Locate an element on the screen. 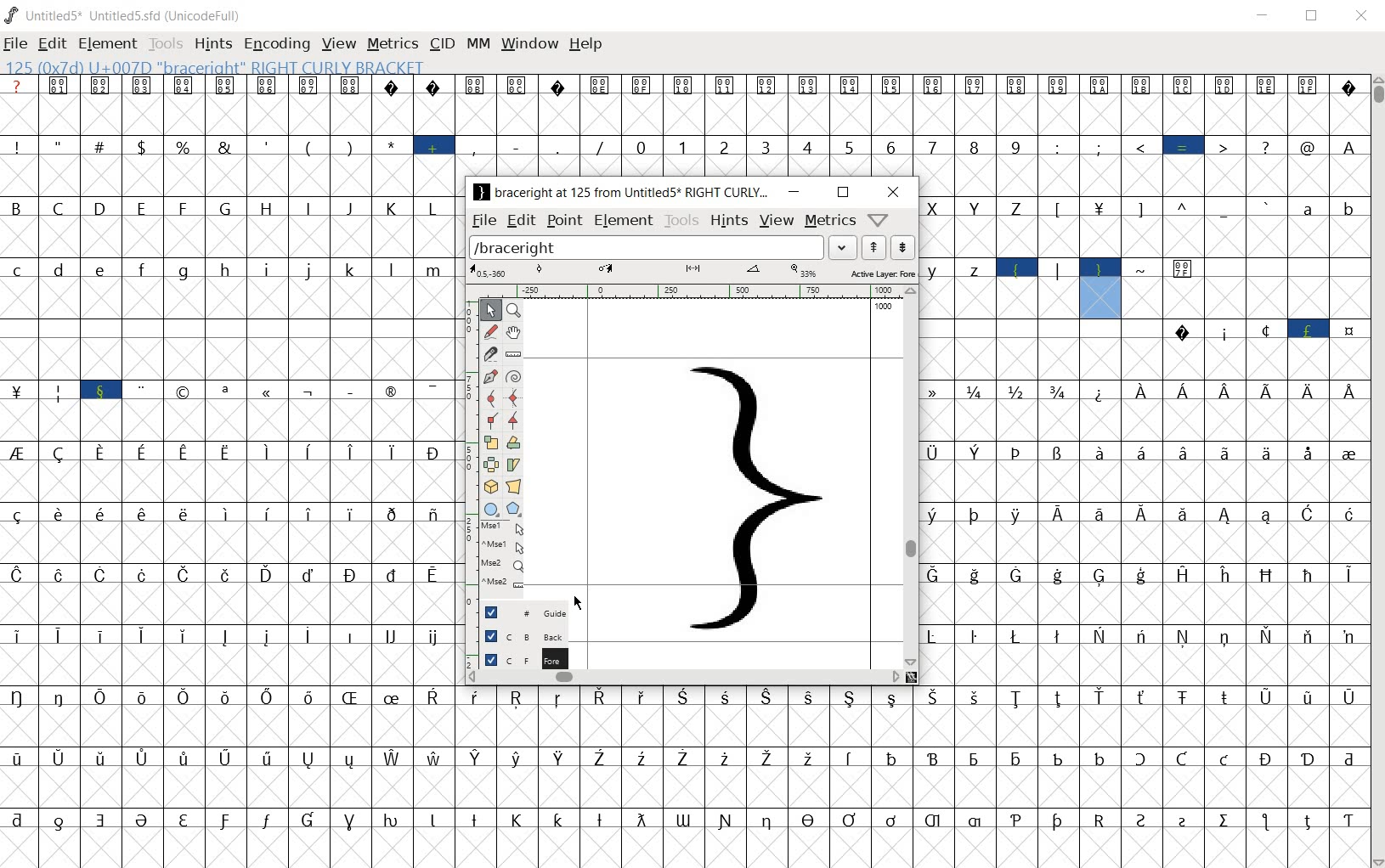 This screenshot has width=1385, height=868. change whether spiro is active or not is located at coordinates (511, 375).